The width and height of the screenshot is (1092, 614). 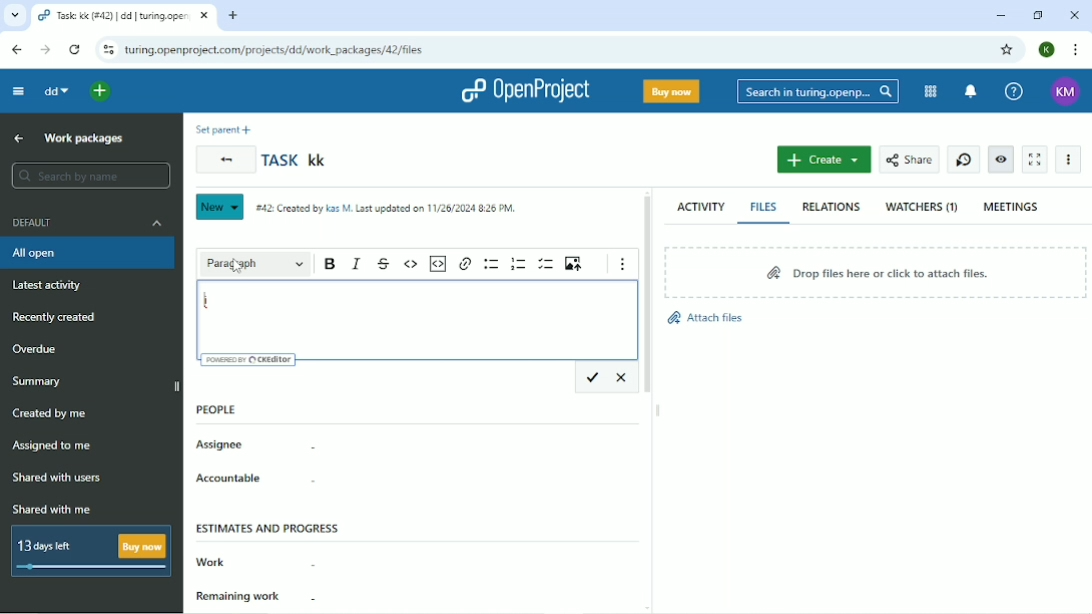 I want to click on Overdue, so click(x=37, y=350).